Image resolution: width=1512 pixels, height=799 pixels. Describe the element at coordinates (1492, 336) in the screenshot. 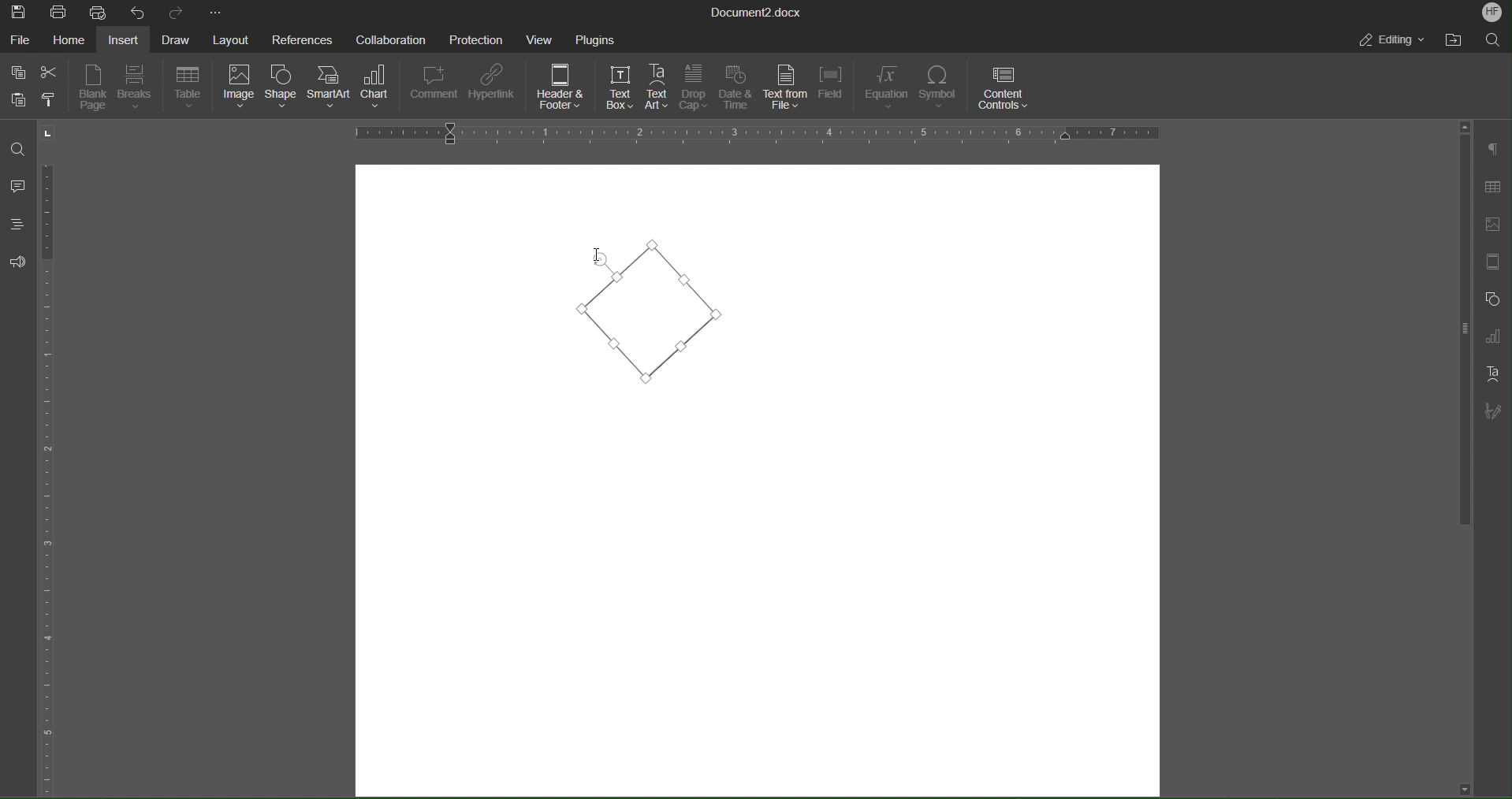

I see `Graph` at that location.